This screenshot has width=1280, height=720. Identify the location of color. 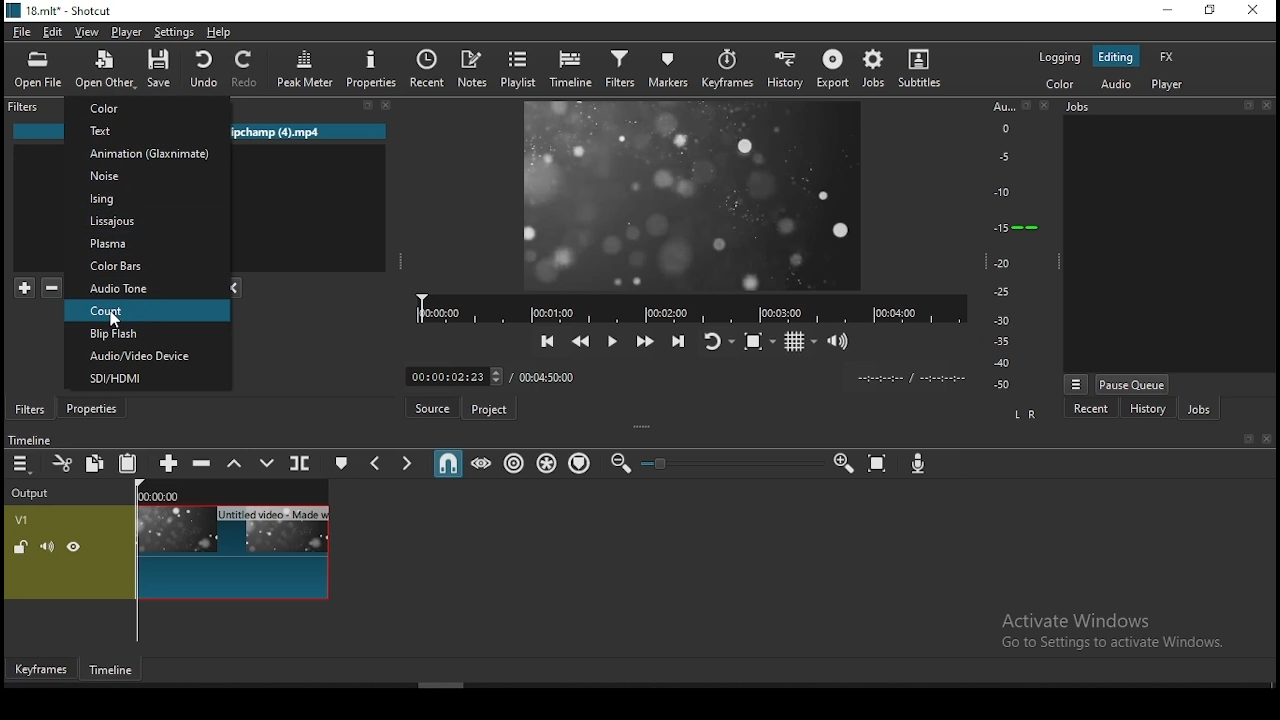
(148, 109).